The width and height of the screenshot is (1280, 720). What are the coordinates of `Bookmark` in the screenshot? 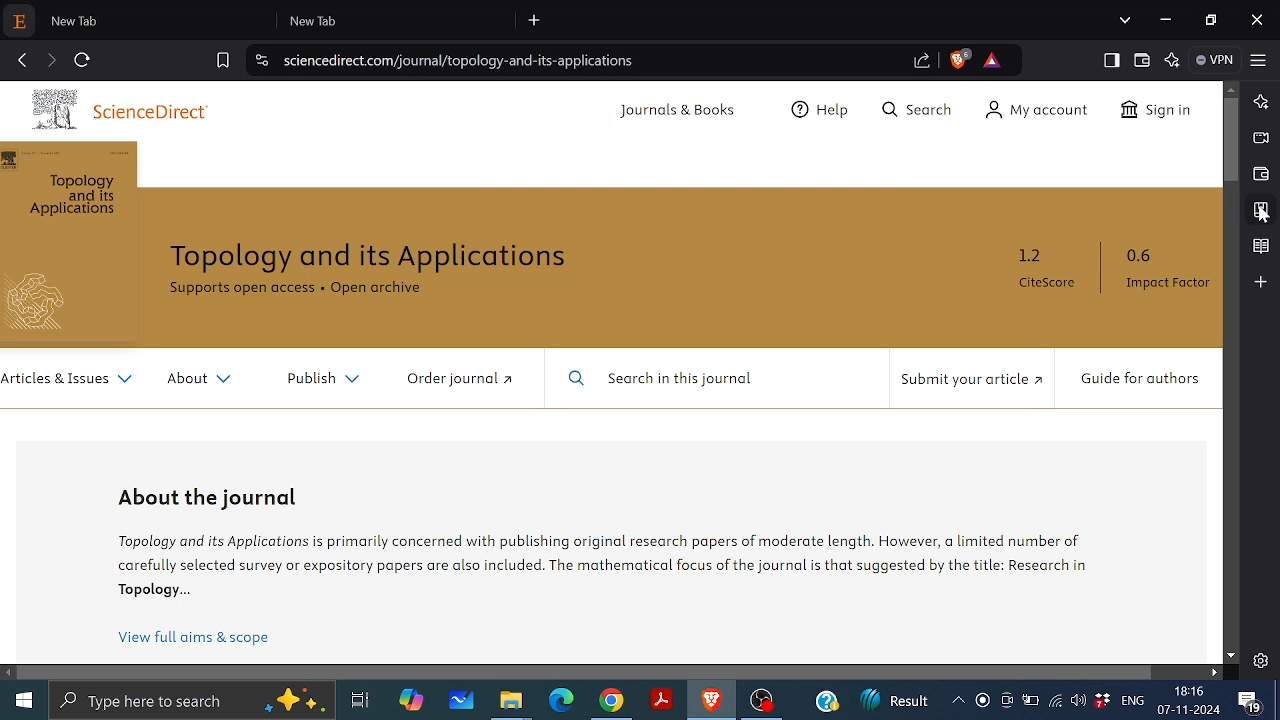 It's located at (1260, 211).